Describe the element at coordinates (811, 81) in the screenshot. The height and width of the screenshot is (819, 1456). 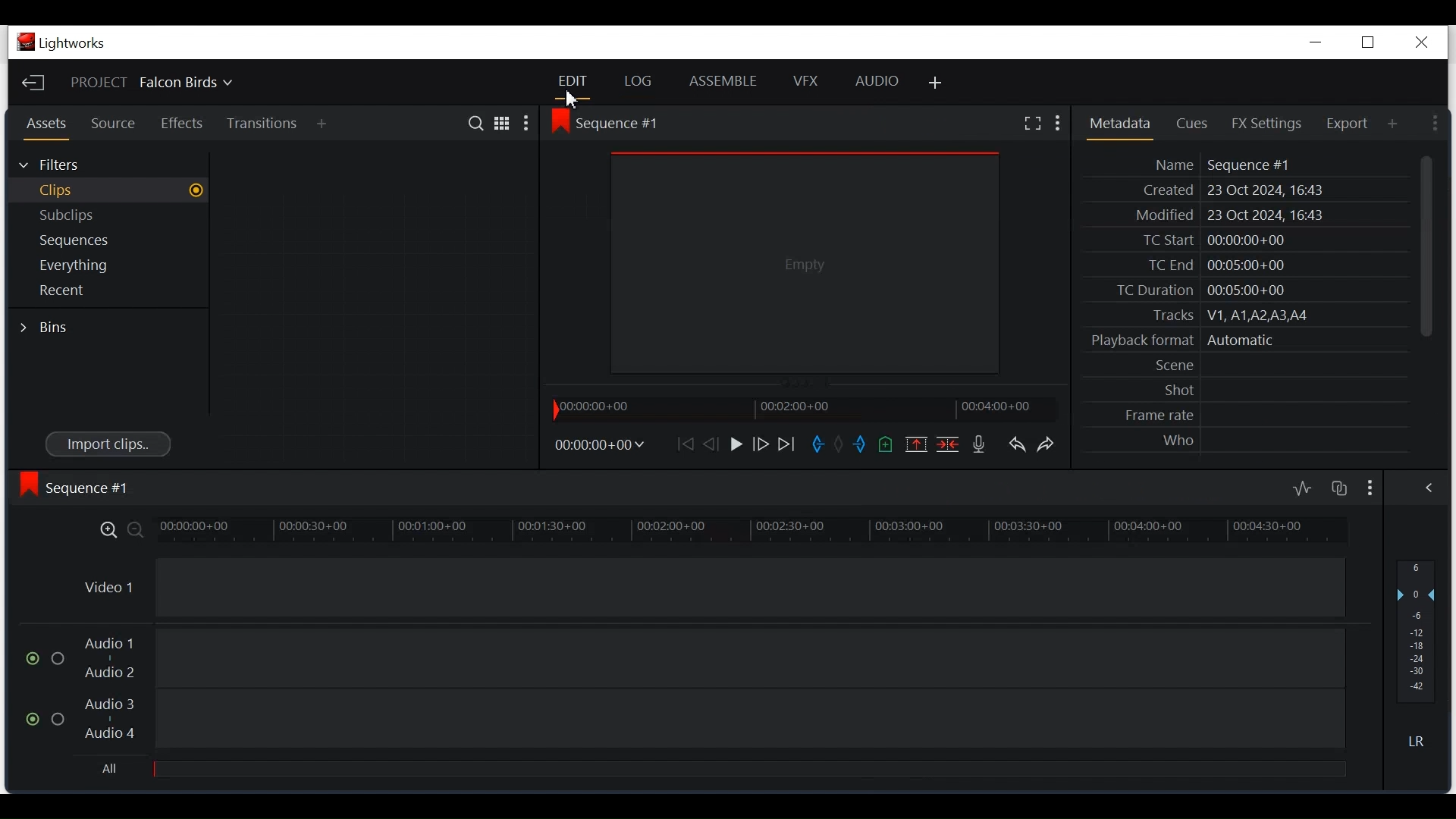
I see `VFX` at that location.